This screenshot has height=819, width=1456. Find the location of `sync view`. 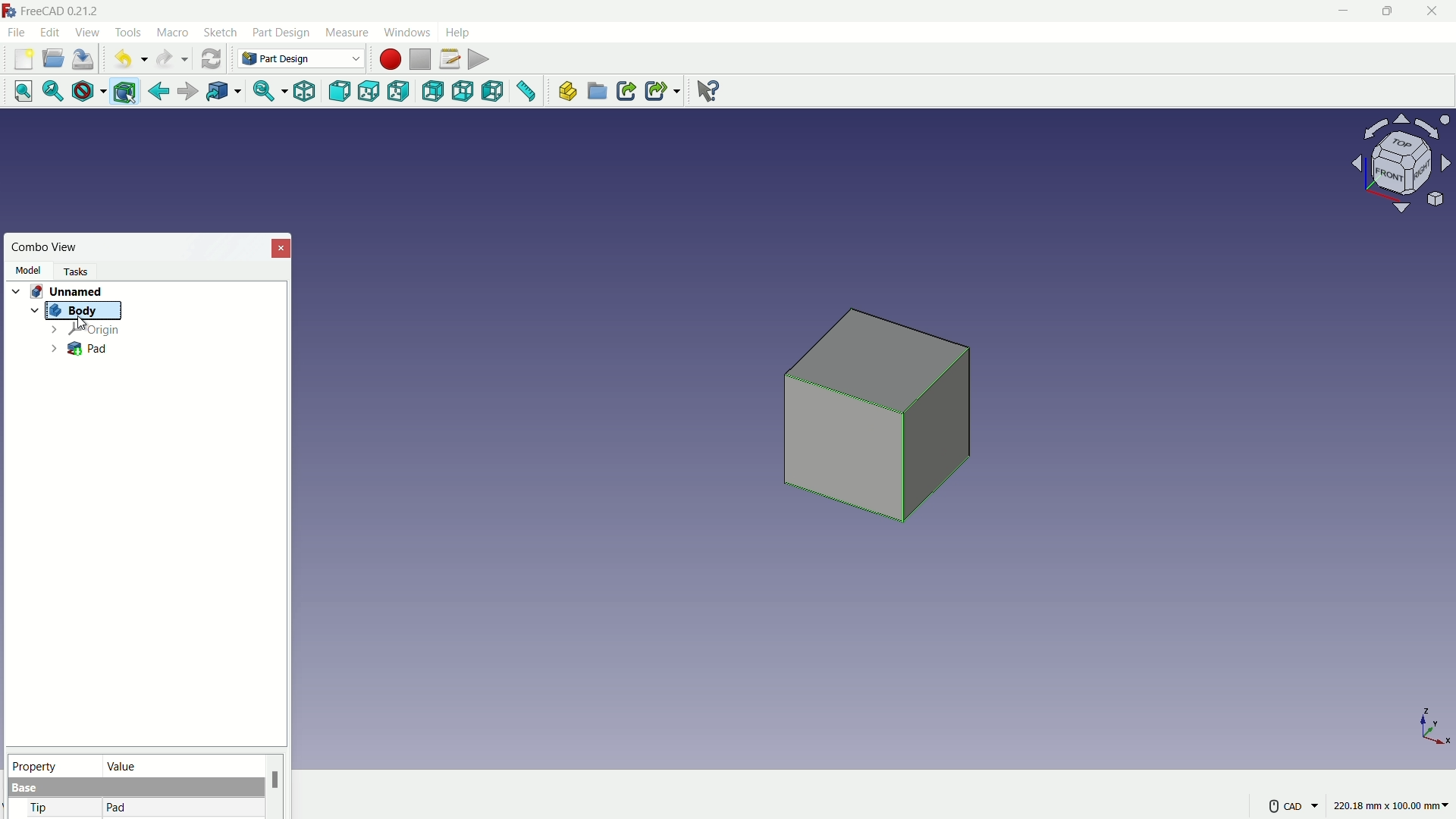

sync view is located at coordinates (263, 93).